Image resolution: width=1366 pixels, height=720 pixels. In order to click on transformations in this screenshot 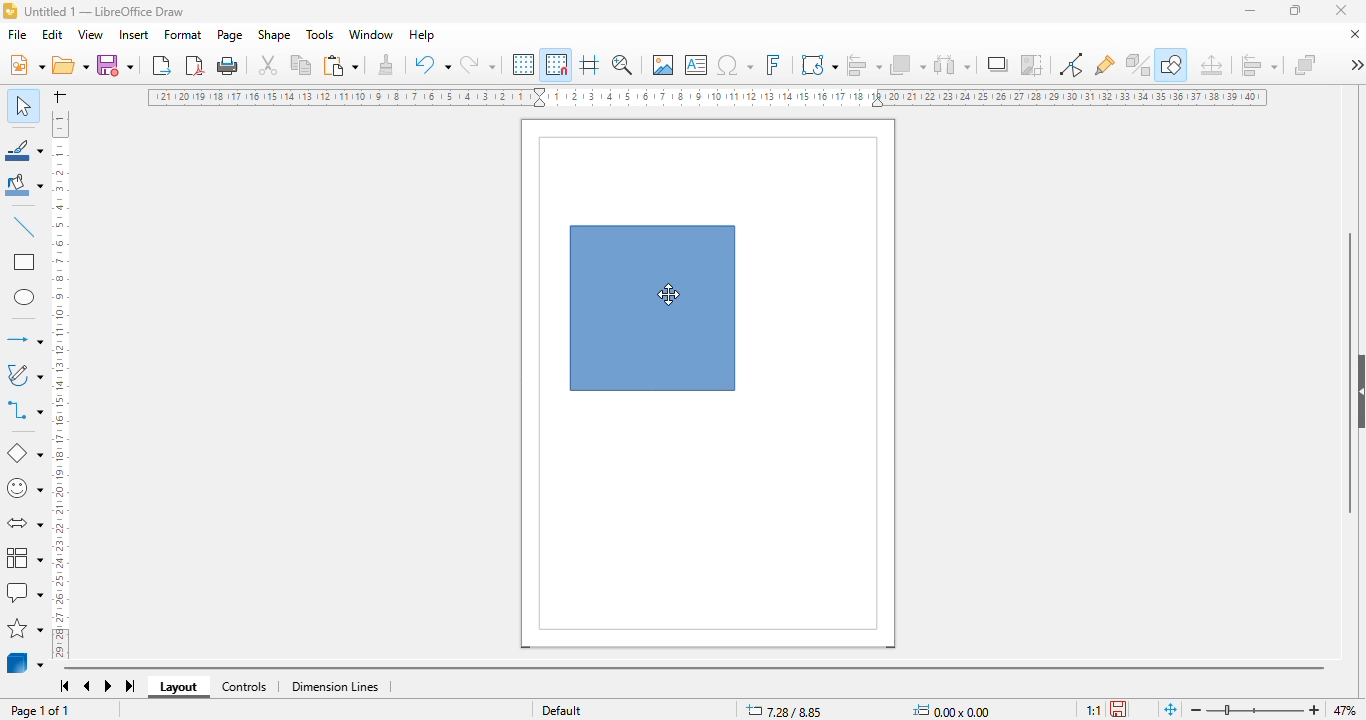, I will do `click(820, 64)`.